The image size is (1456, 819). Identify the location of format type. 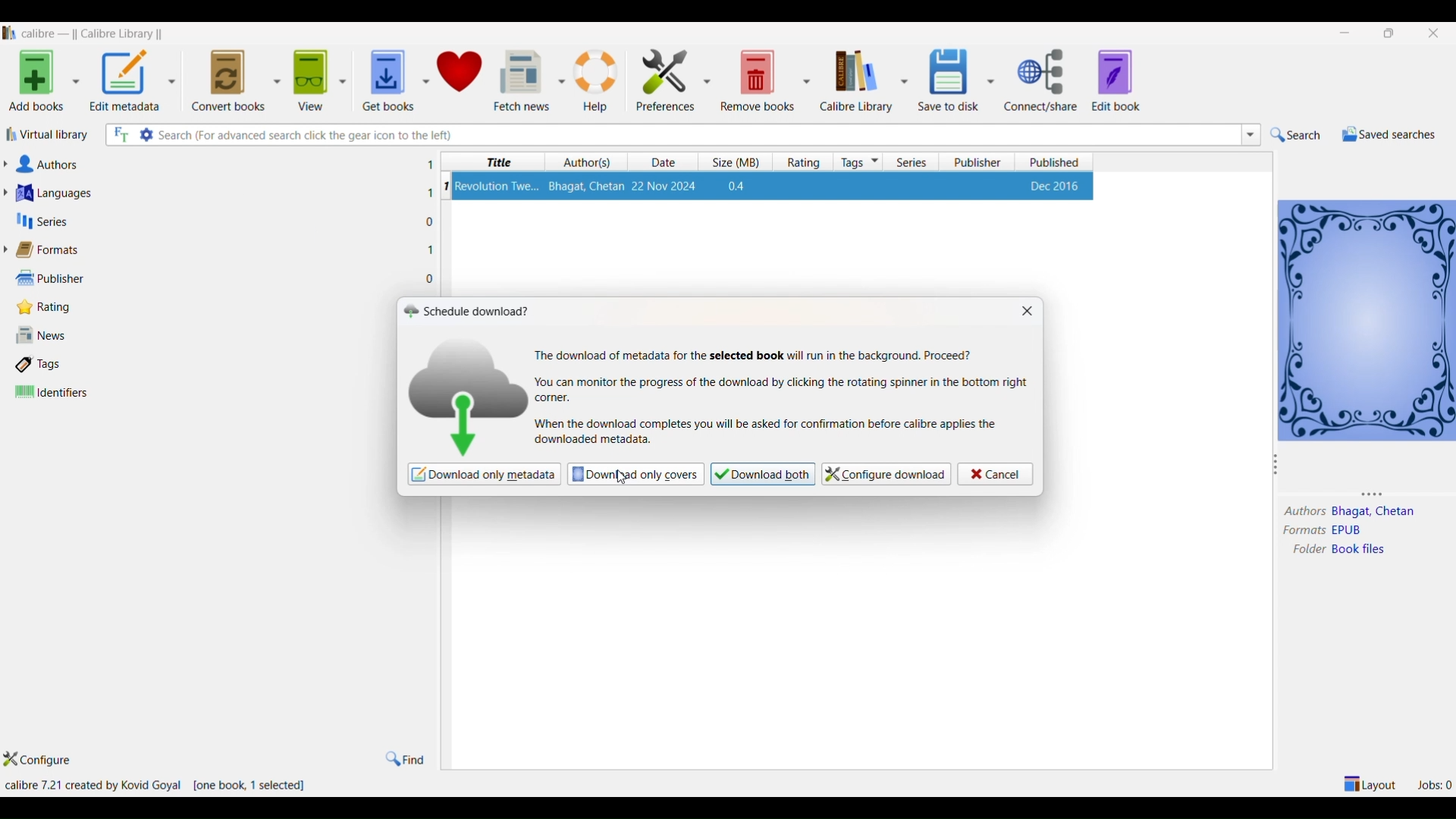
(1354, 531).